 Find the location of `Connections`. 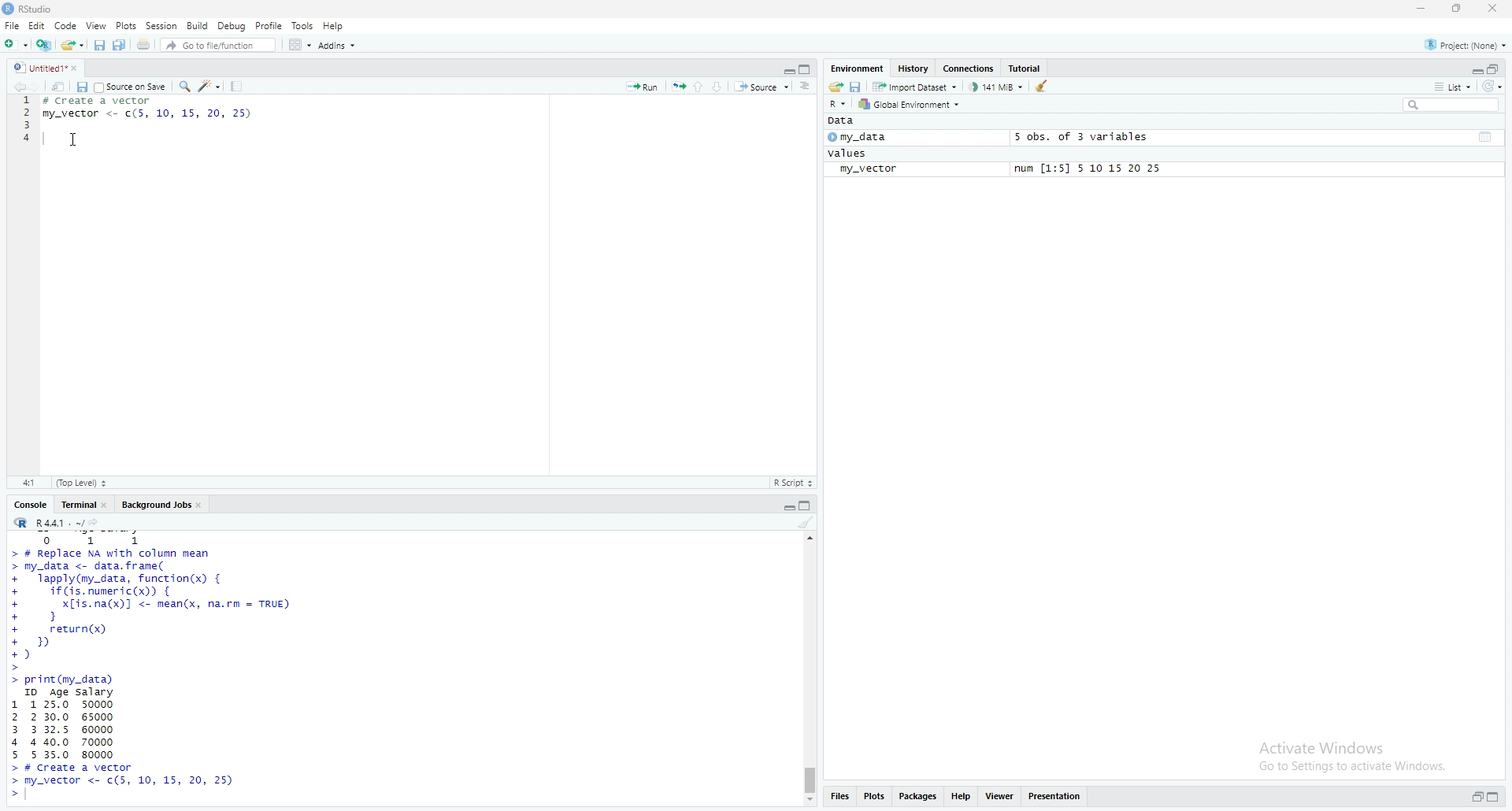

Connections is located at coordinates (972, 68).